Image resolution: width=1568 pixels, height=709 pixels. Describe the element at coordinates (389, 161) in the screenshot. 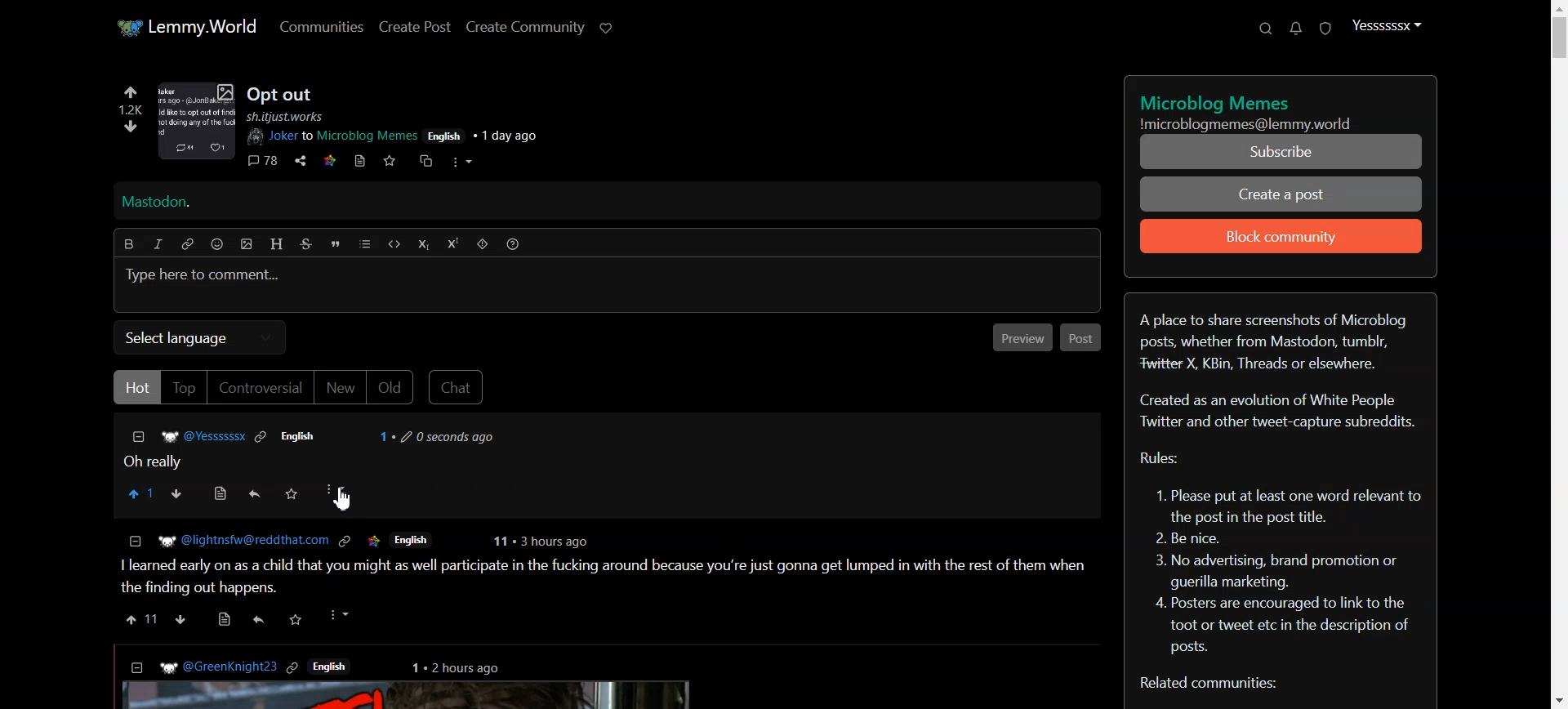

I see `save` at that location.